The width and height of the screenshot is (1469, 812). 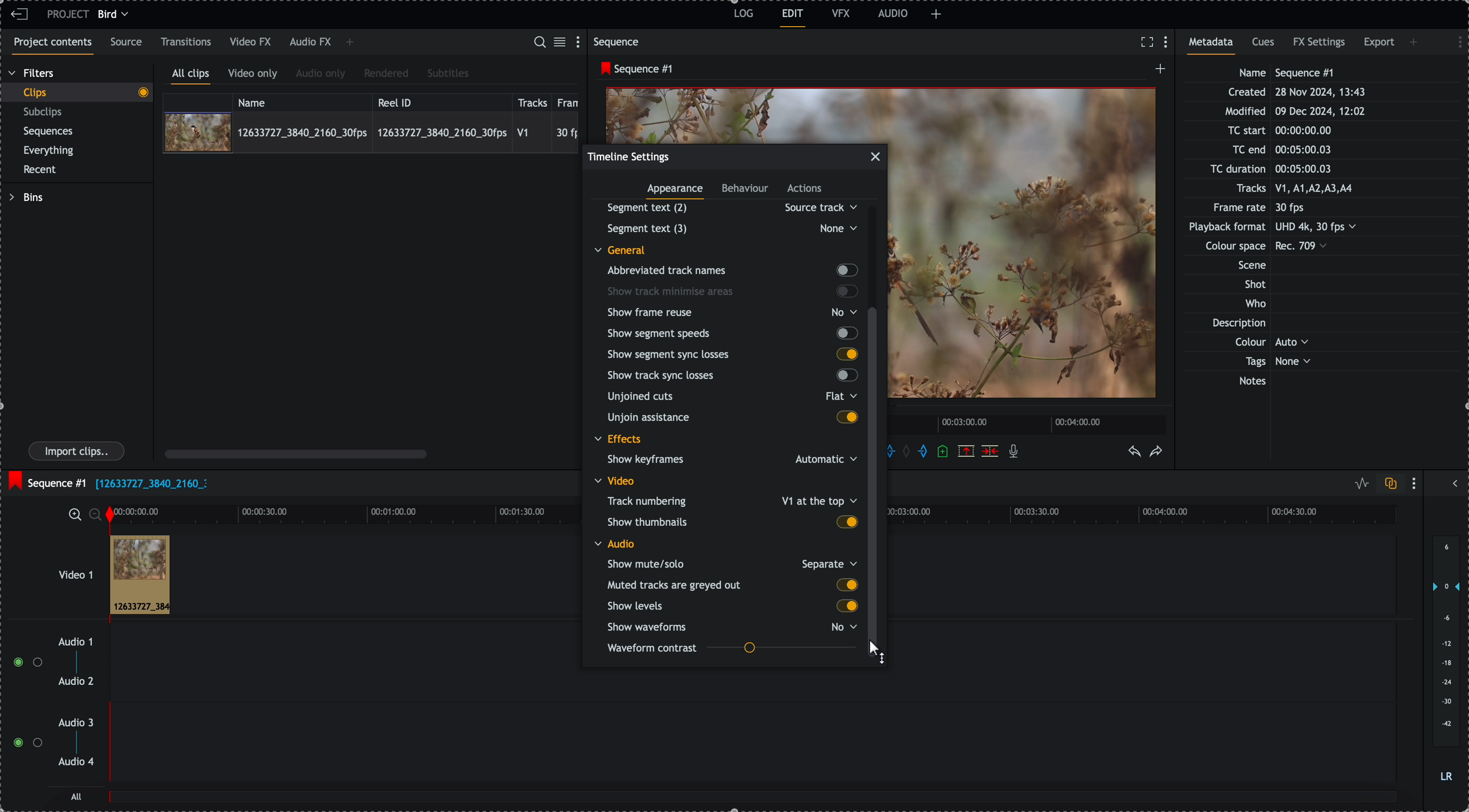 What do you see at coordinates (296, 453) in the screenshot?
I see `scroll bar` at bounding box center [296, 453].